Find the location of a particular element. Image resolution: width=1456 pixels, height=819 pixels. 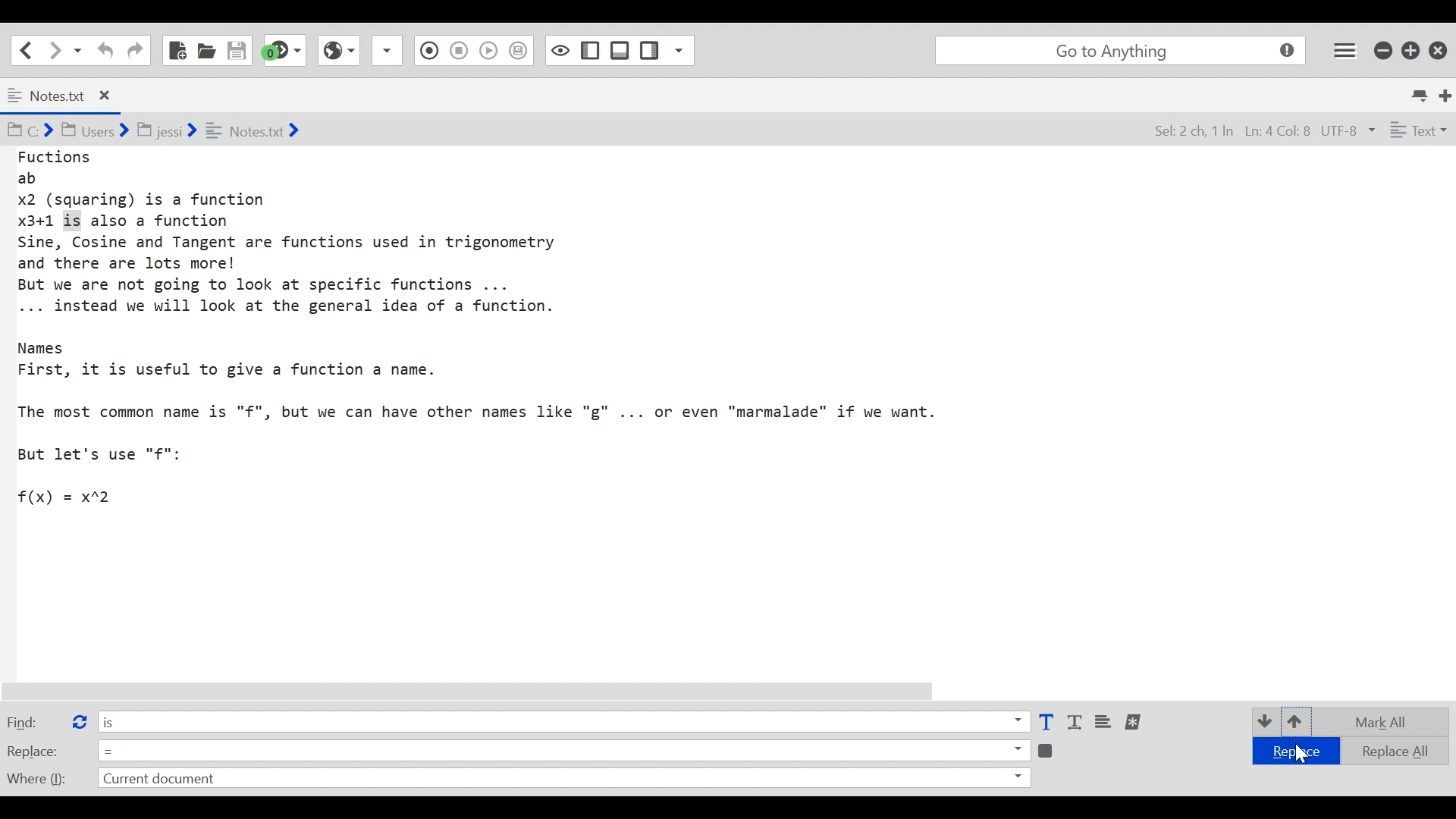

Match whole case is located at coordinates (1077, 723).